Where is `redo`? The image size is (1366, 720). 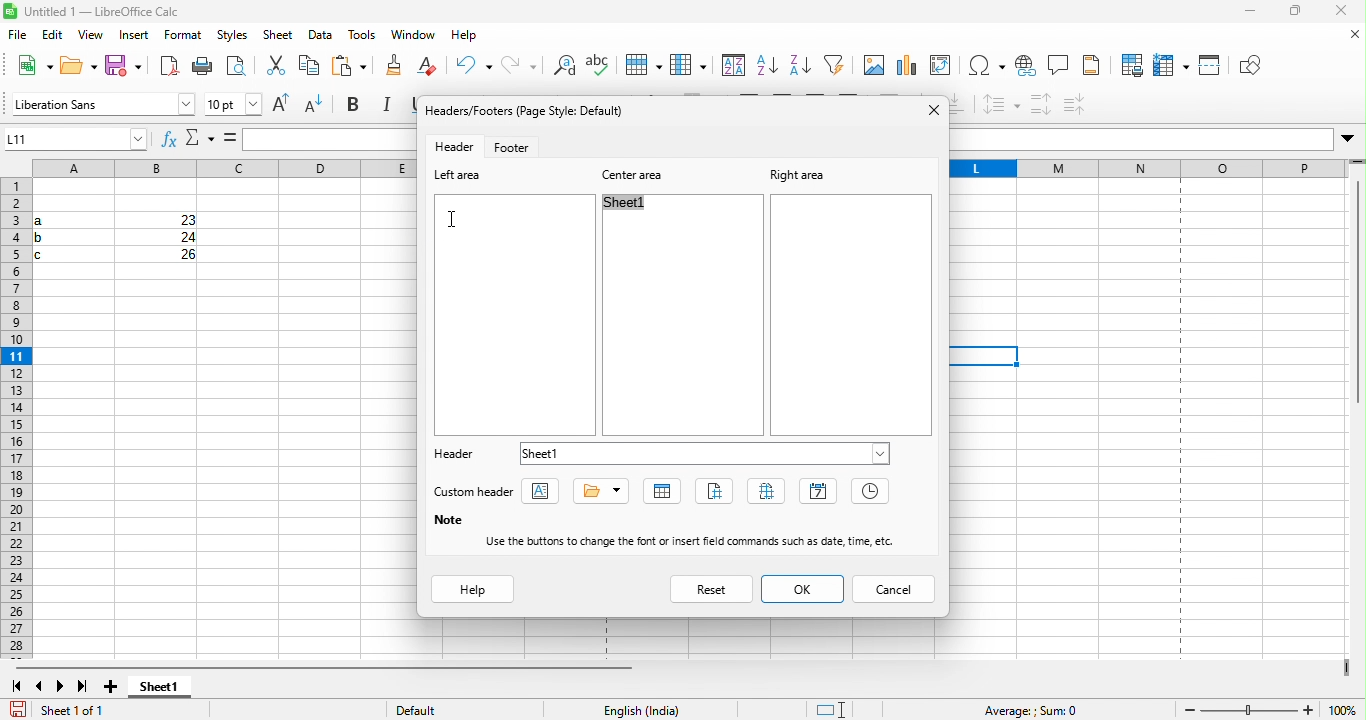
redo is located at coordinates (477, 66).